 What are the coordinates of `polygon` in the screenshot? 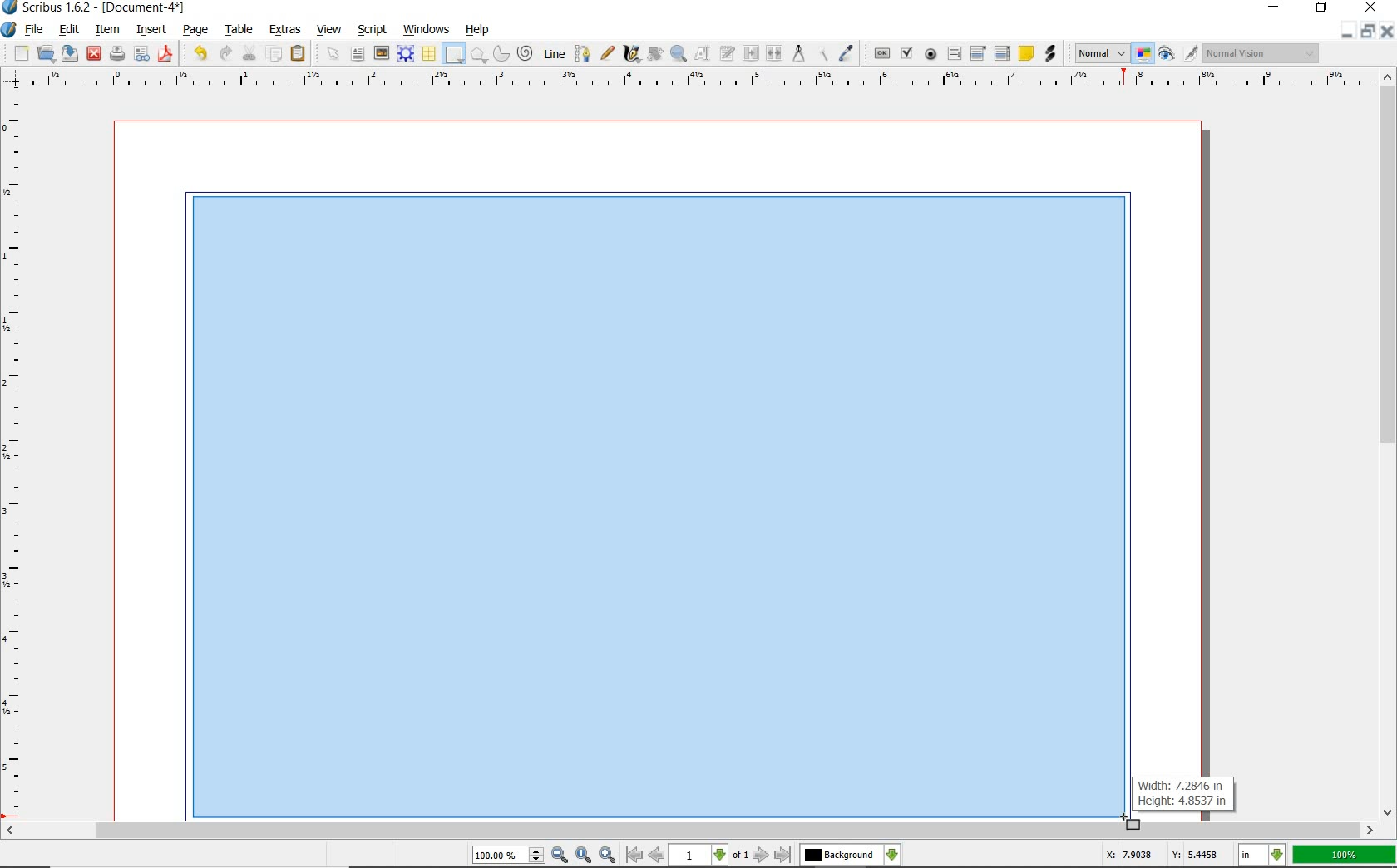 It's located at (479, 56).